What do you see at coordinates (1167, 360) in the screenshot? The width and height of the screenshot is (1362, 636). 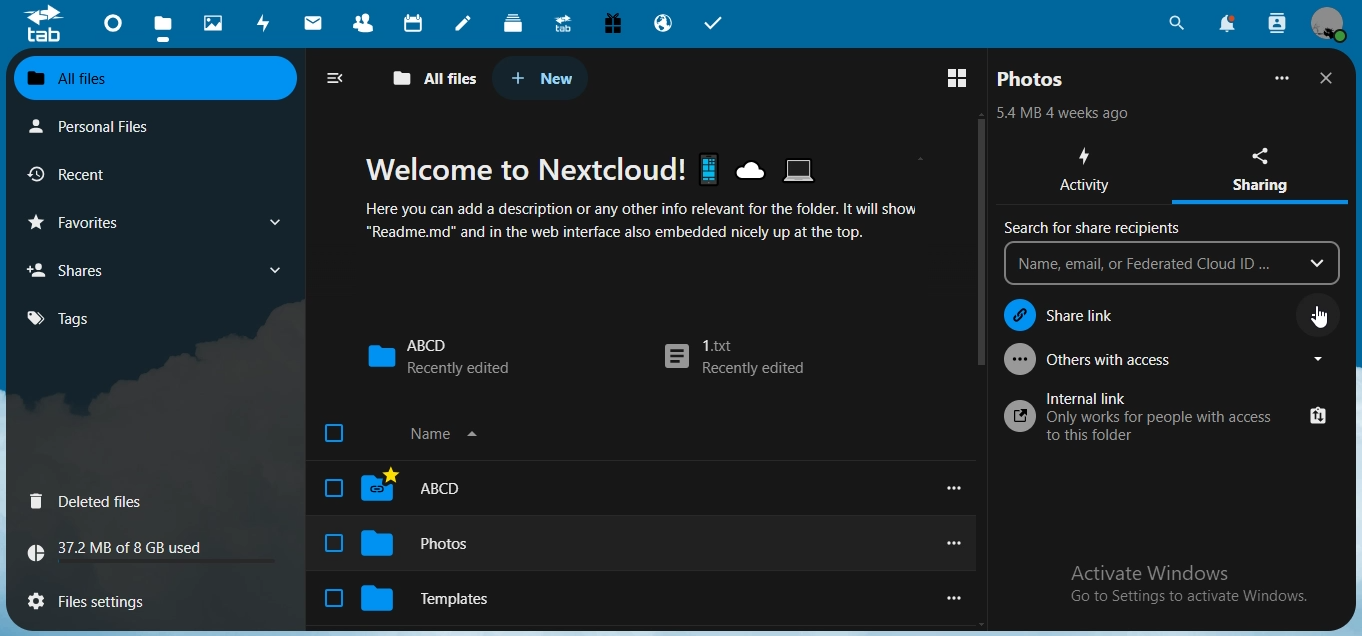 I see `others with access` at bounding box center [1167, 360].